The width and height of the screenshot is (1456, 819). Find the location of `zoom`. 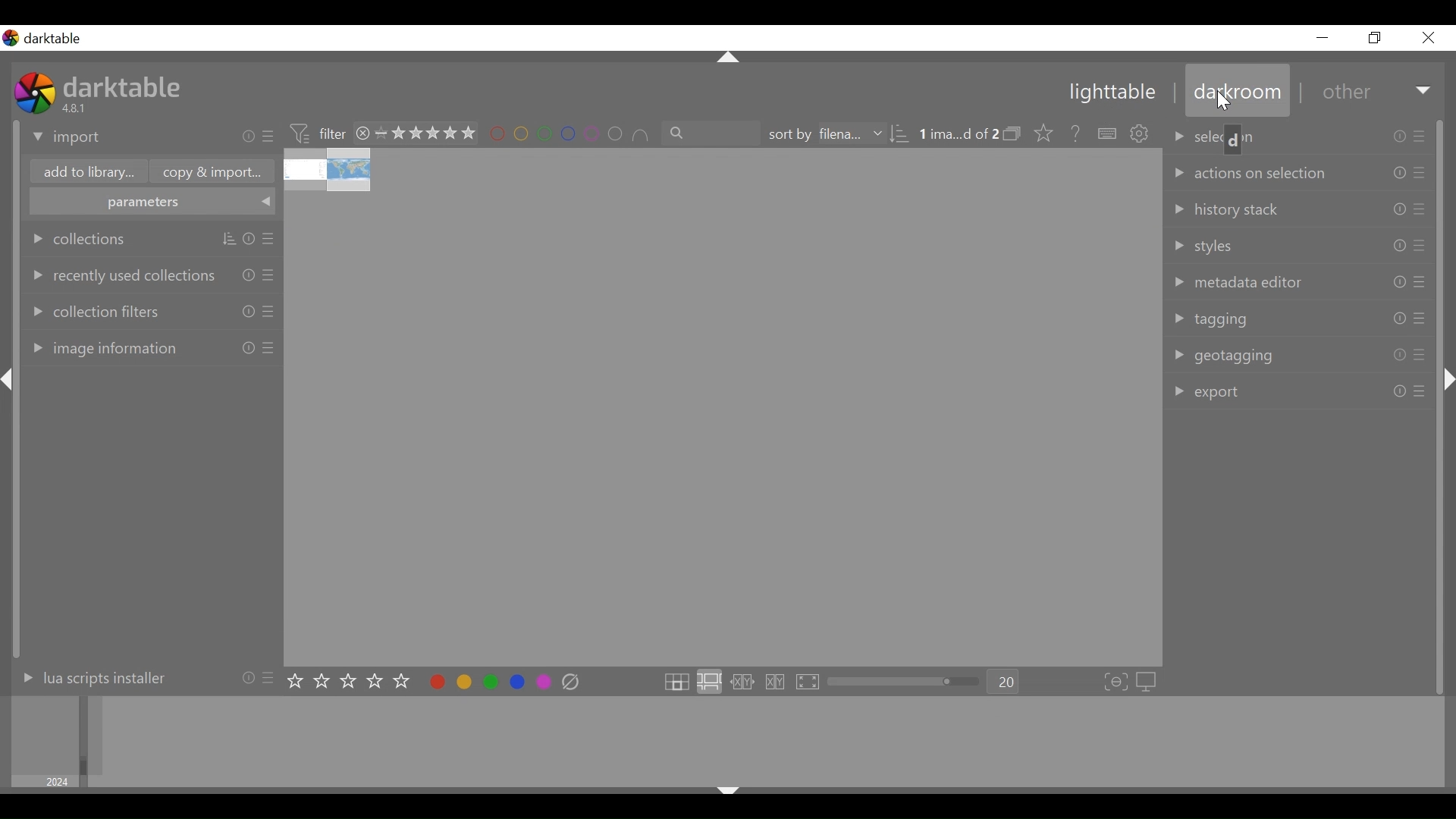

zoom is located at coordinates (907, 683).